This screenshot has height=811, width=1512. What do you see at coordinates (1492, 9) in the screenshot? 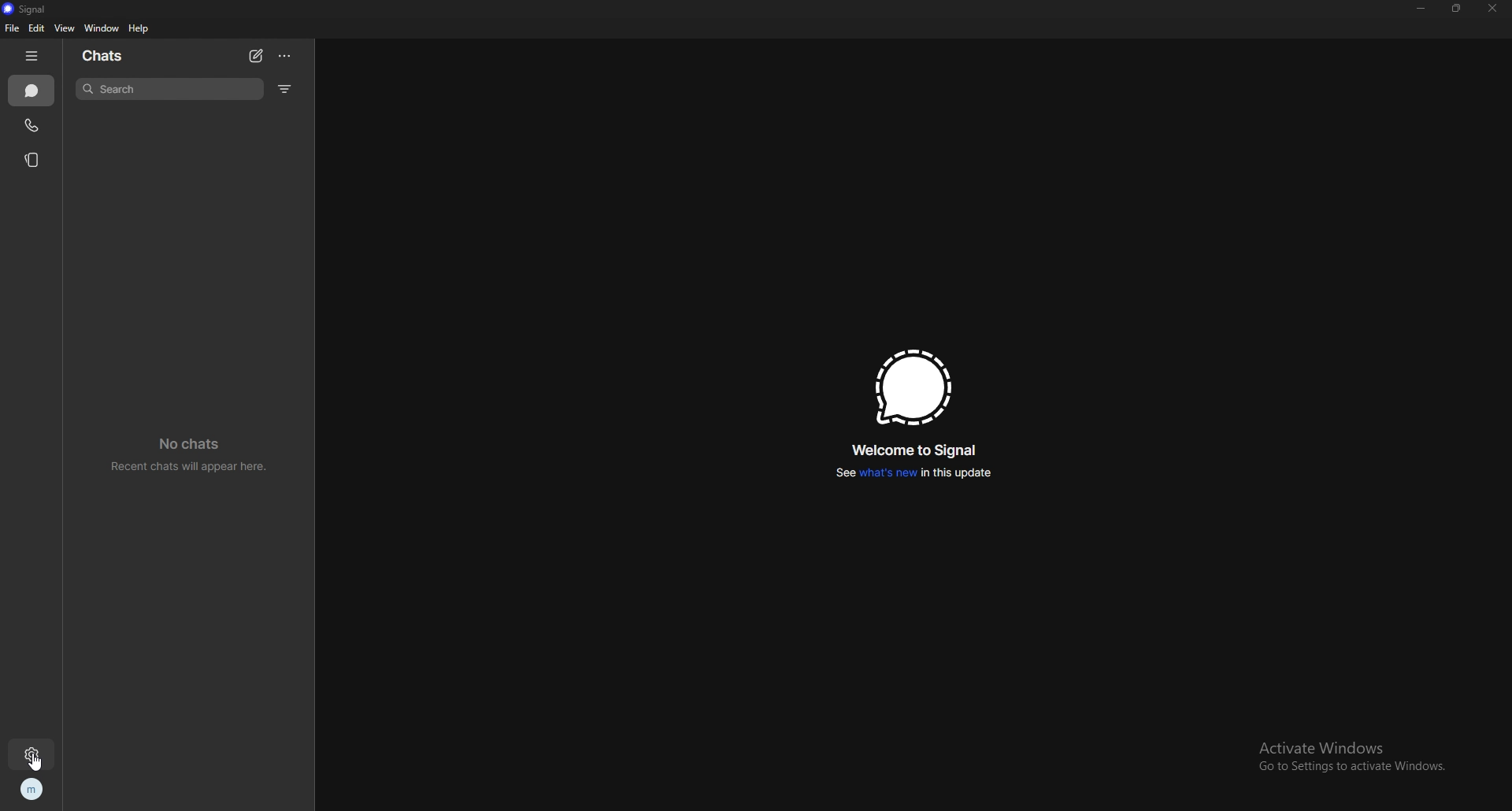
I see `close` at bounding box center [1492, 9].